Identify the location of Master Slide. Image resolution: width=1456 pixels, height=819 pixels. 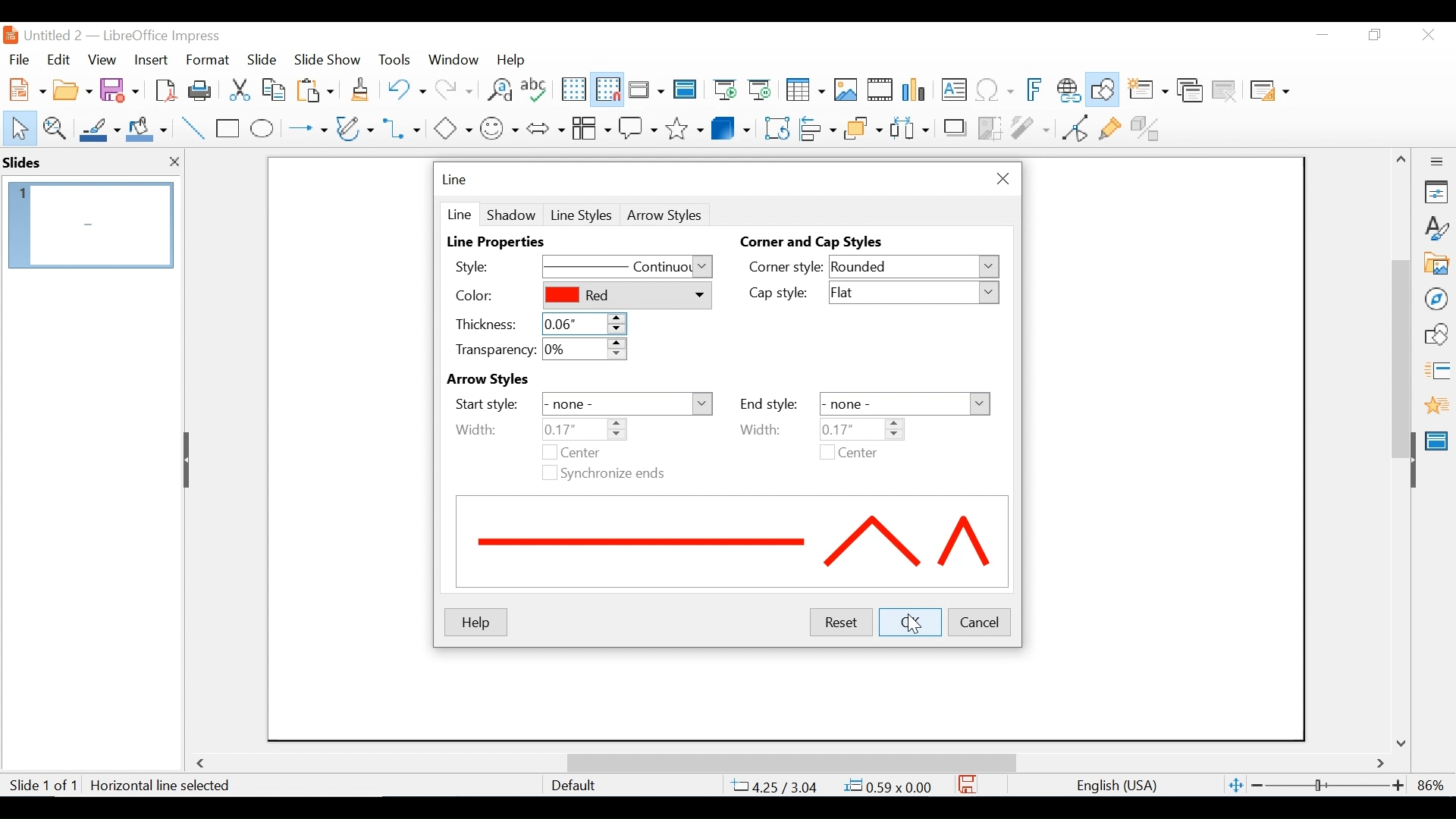
(1439, 439).